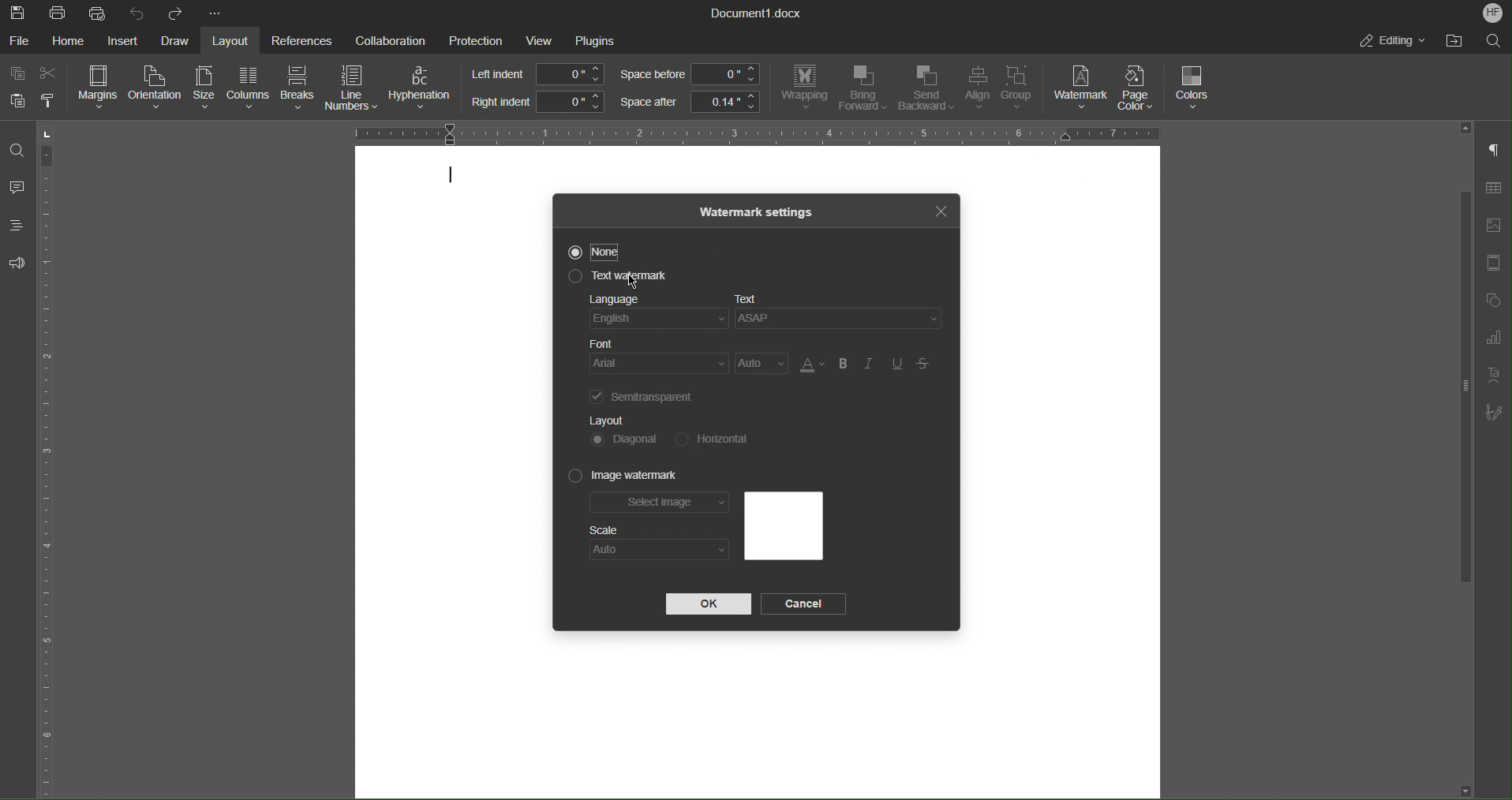 The height and width of the screenshot is (800, 1512). What do you see at coordinates (156, 88) in the screenshot?
I see `Orientation` at bounding box center [156, 88].